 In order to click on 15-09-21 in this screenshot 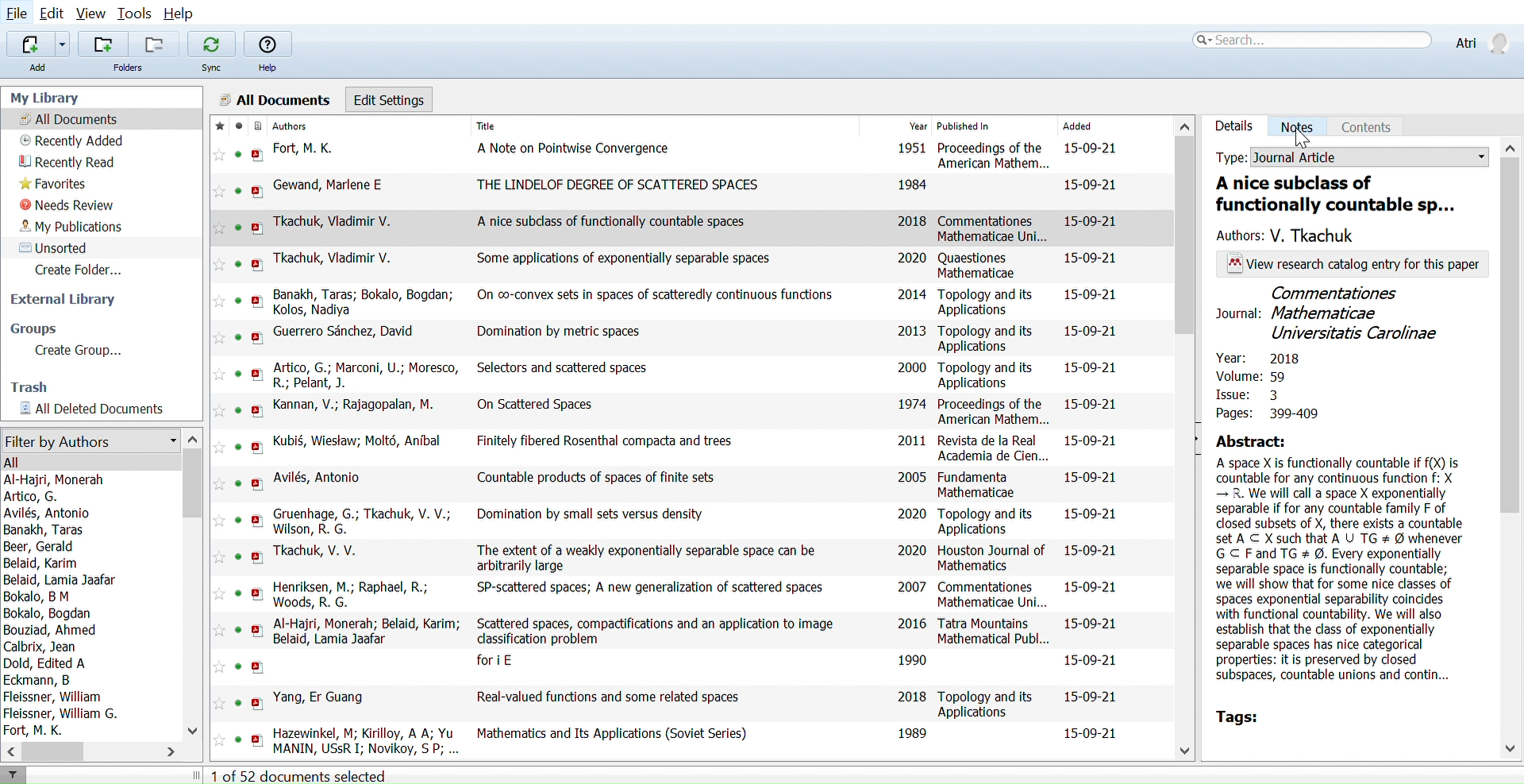, I will do `click(1092, 294)`.